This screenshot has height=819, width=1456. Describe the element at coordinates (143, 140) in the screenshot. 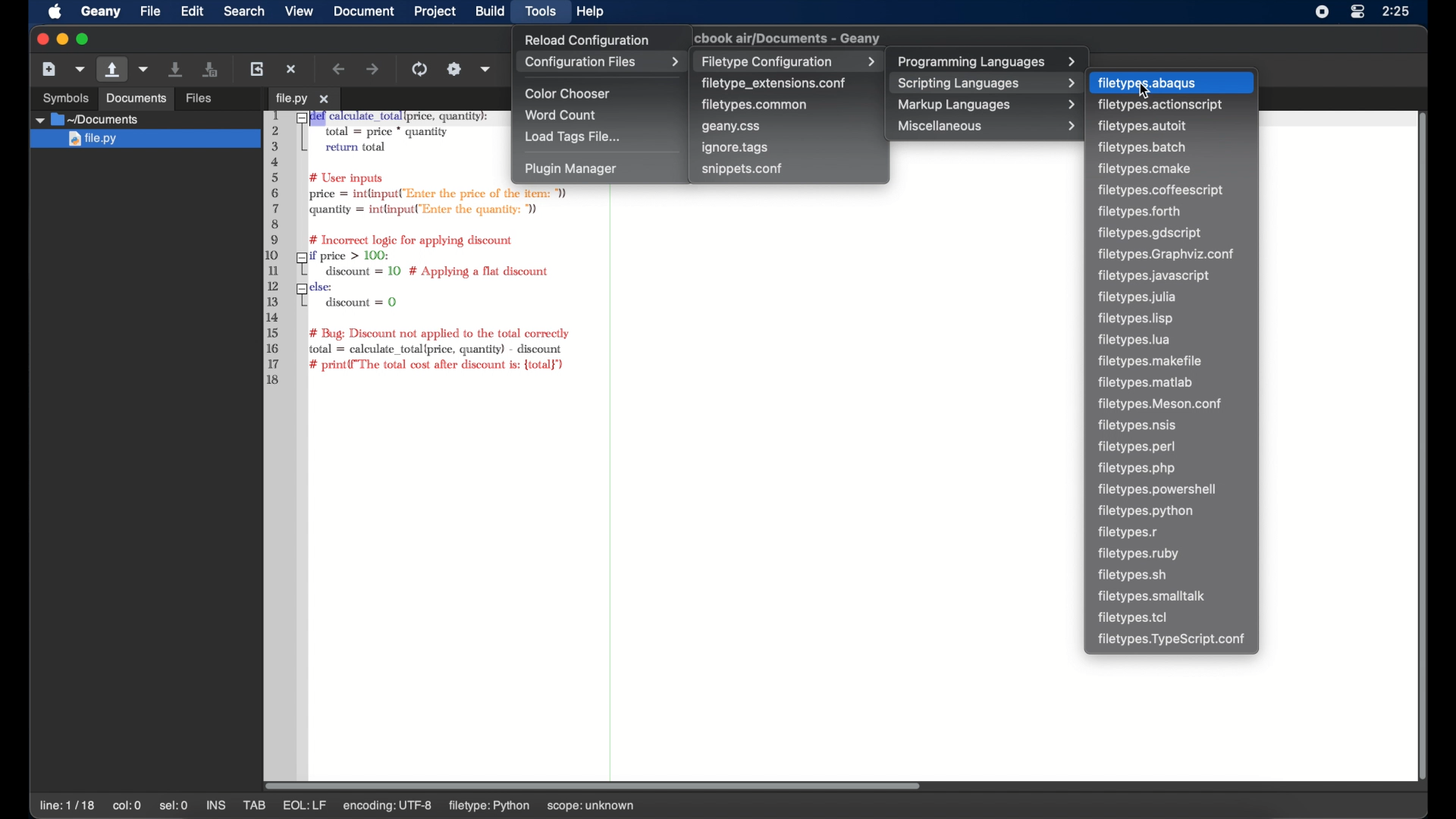

I see `file.py highlighted` at that location.